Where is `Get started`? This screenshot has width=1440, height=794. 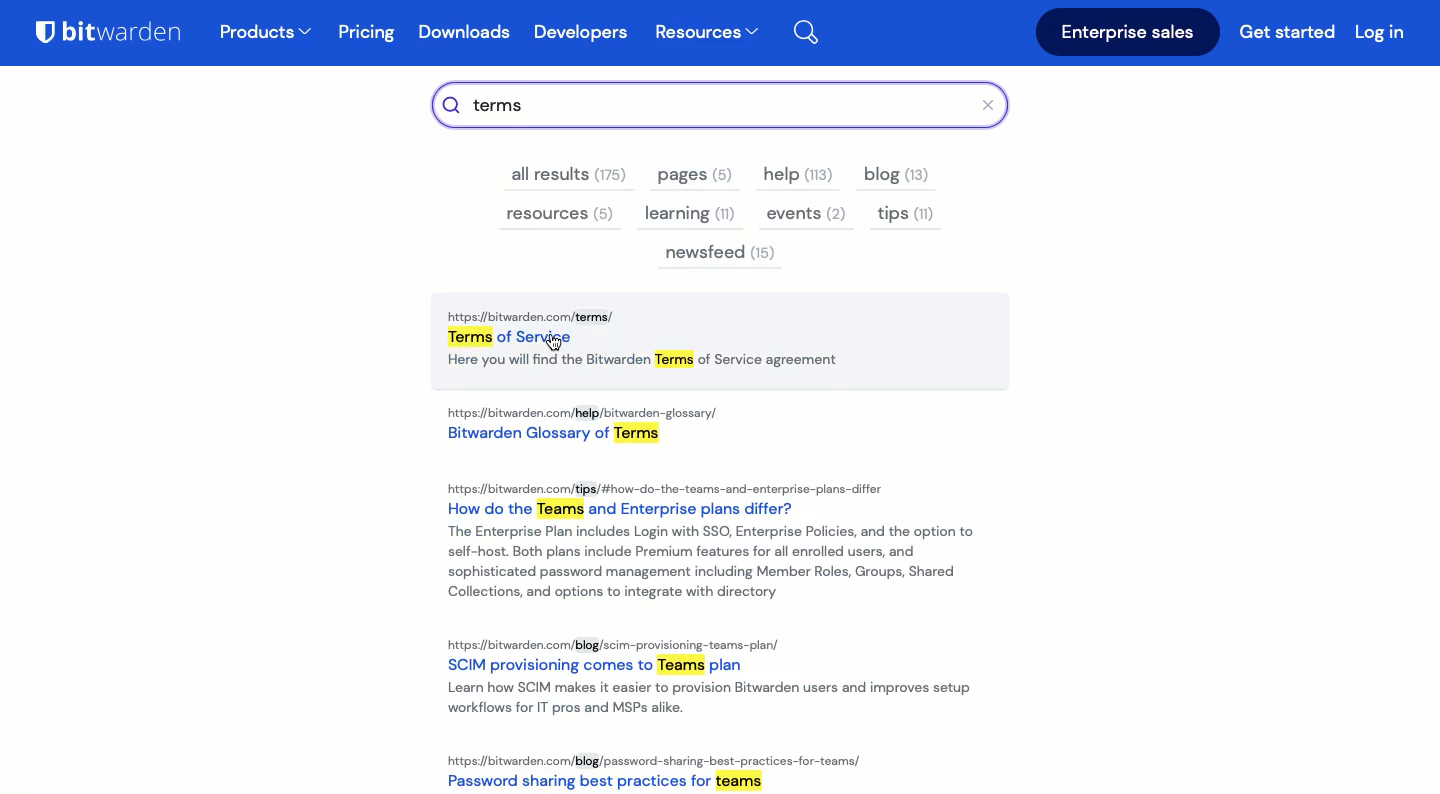
Get started is located at coordinates (1290, 35).